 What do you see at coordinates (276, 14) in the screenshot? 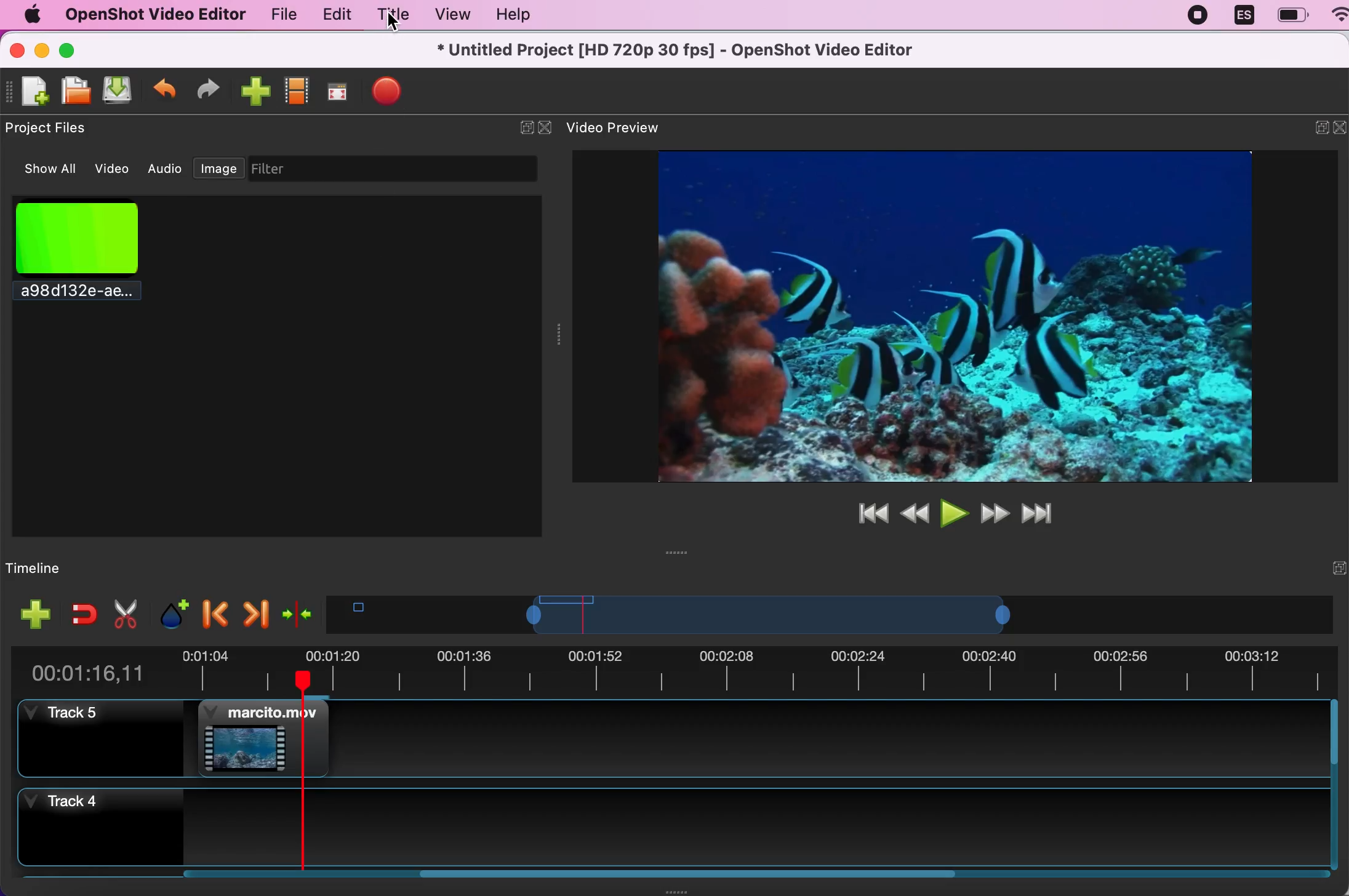
I see `file` at bounding box center [276, 14].